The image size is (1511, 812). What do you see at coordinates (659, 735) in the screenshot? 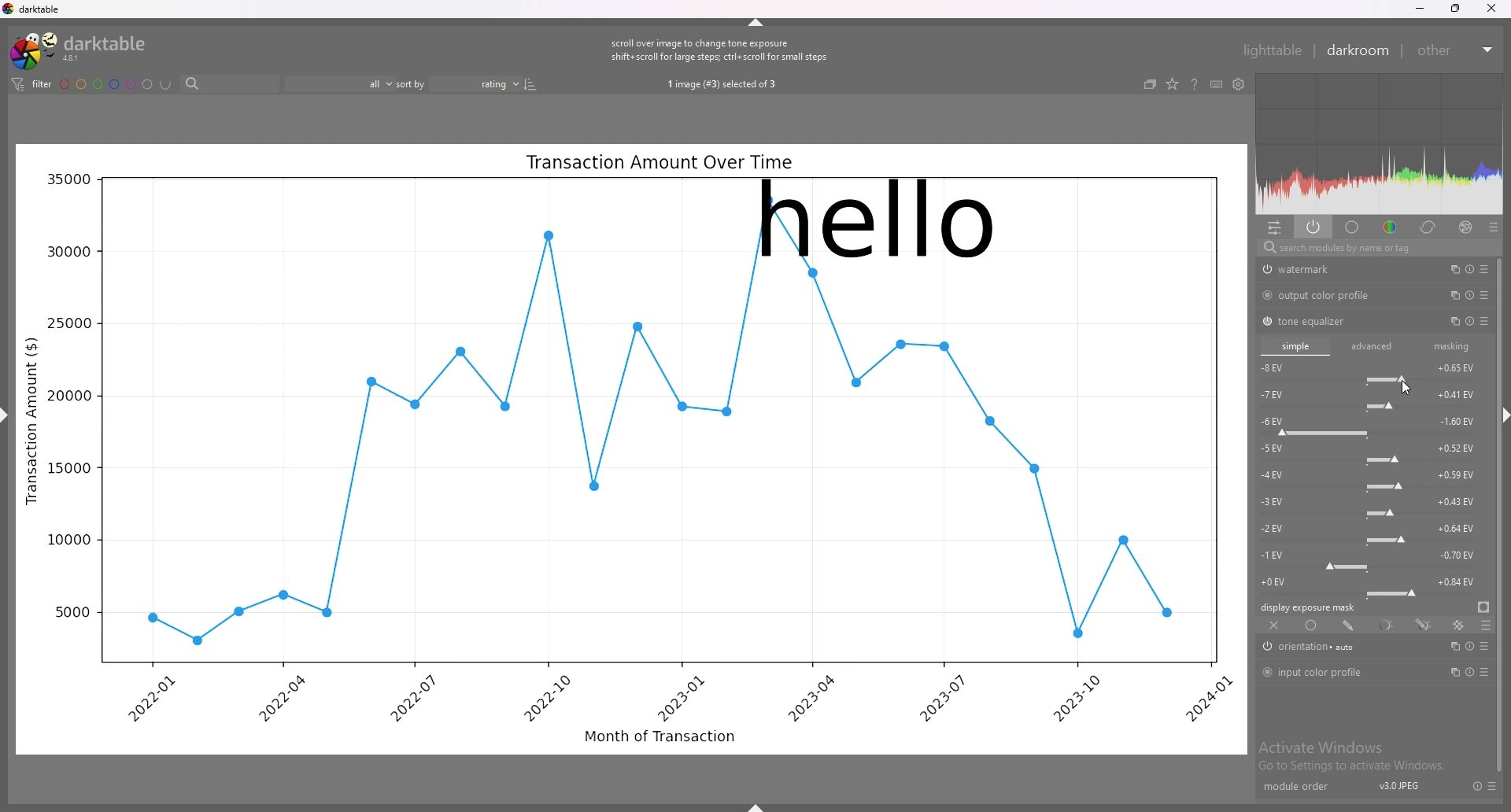
I see `Month of Transaction` at bounding box center [659, 735].